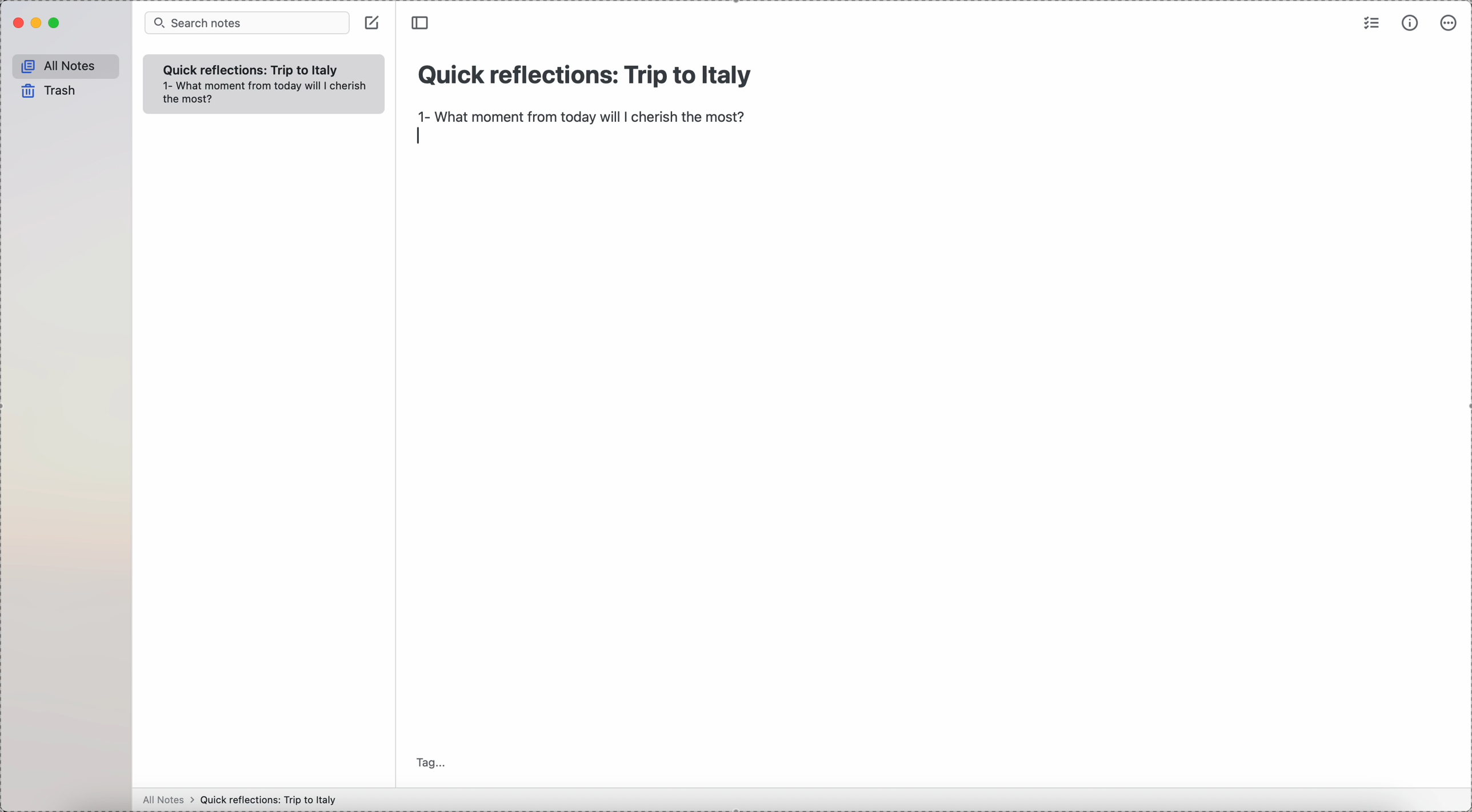 Image resolution: width=1472 pixels, height=812 pixels. Describe the element at coordinates (38, 24) in the screenshot. I see `minimize` at that location.